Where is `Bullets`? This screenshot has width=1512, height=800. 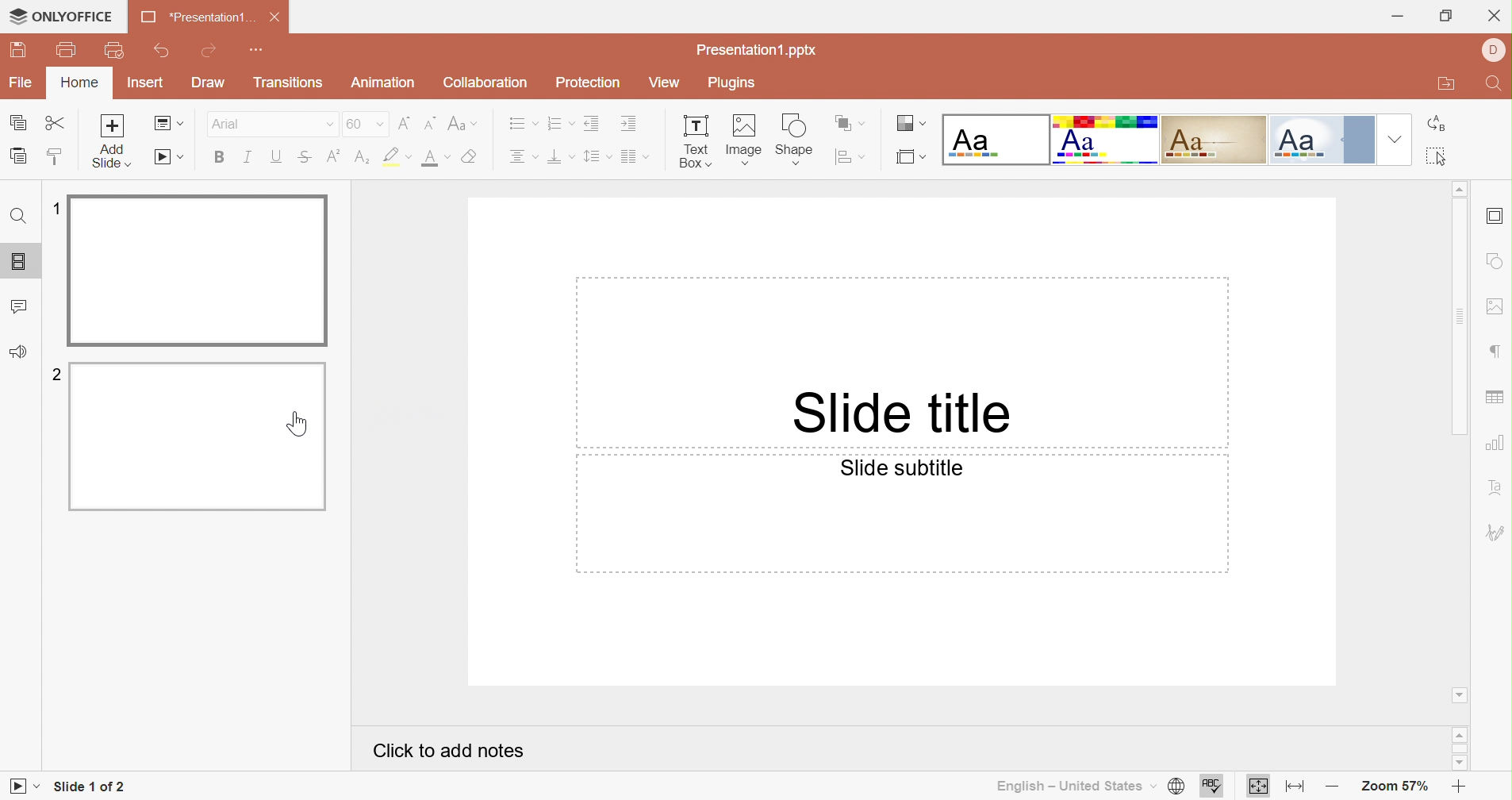 Bullets is located at coordinates (520, 123).